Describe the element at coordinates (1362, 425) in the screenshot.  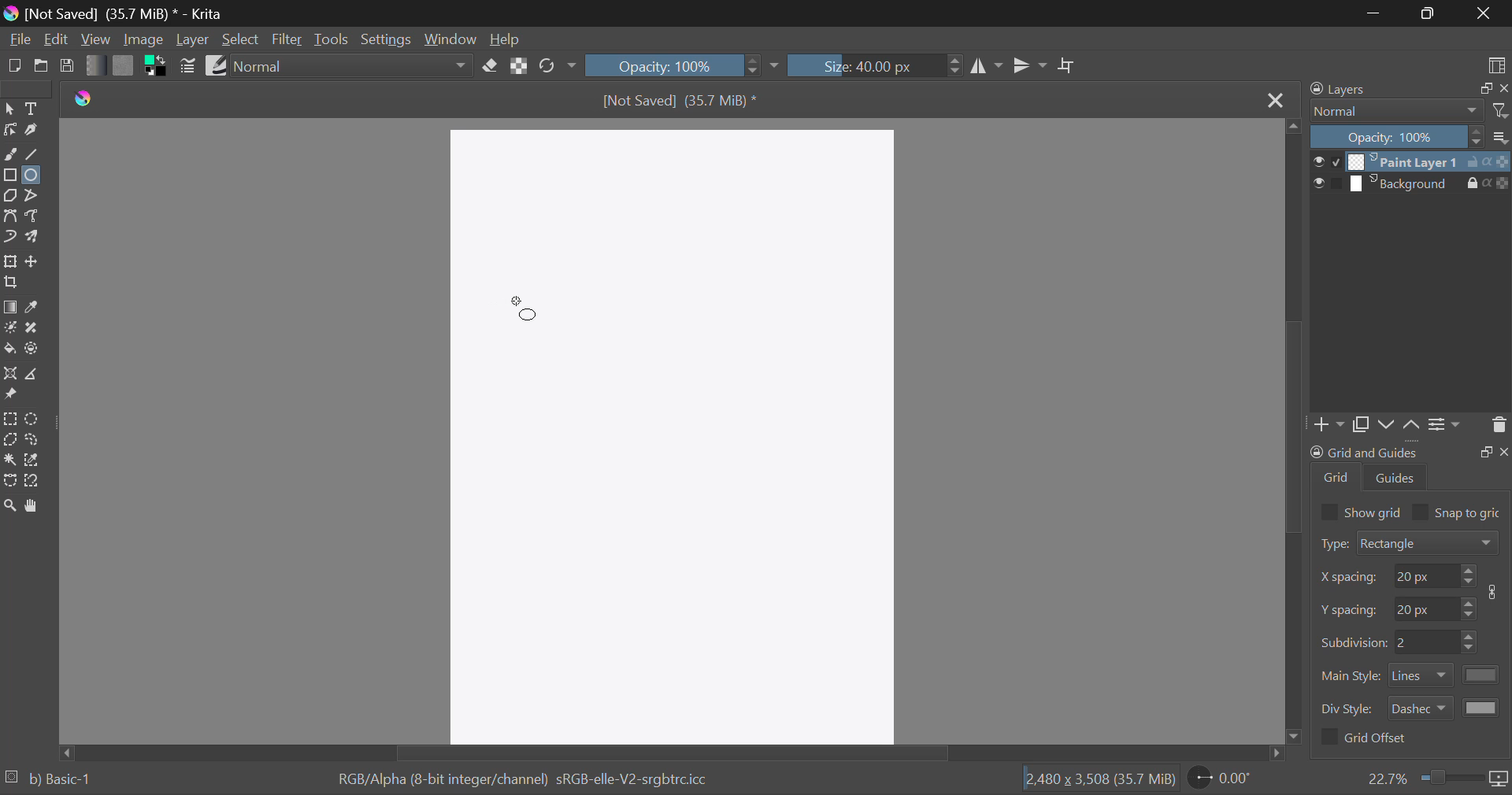
I see `Copy Layers` at that location.